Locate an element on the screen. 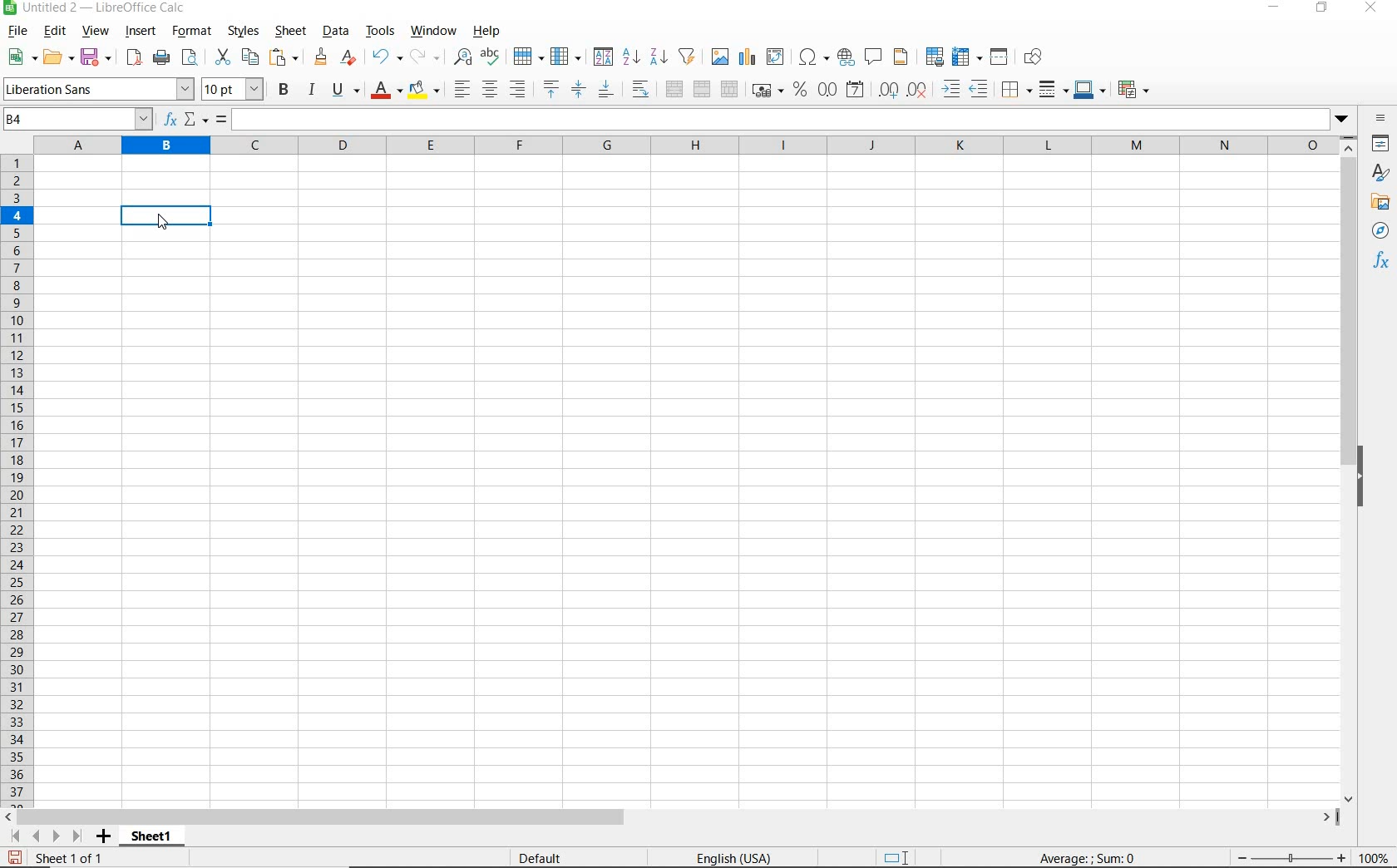 The width and height of the screenshot is (1397, 868). merge cells is located at coordinates (703, 89).